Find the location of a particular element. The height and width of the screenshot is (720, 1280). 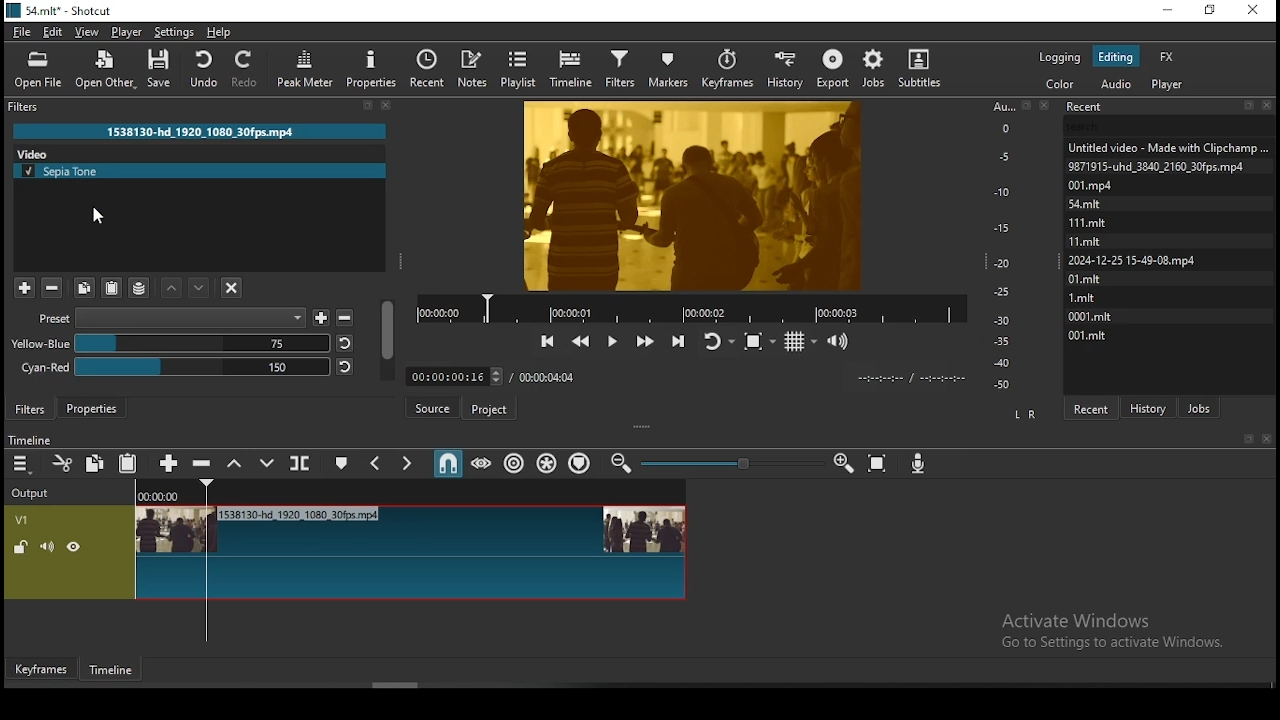

copy selected filters is located at coordinates (86, 289).